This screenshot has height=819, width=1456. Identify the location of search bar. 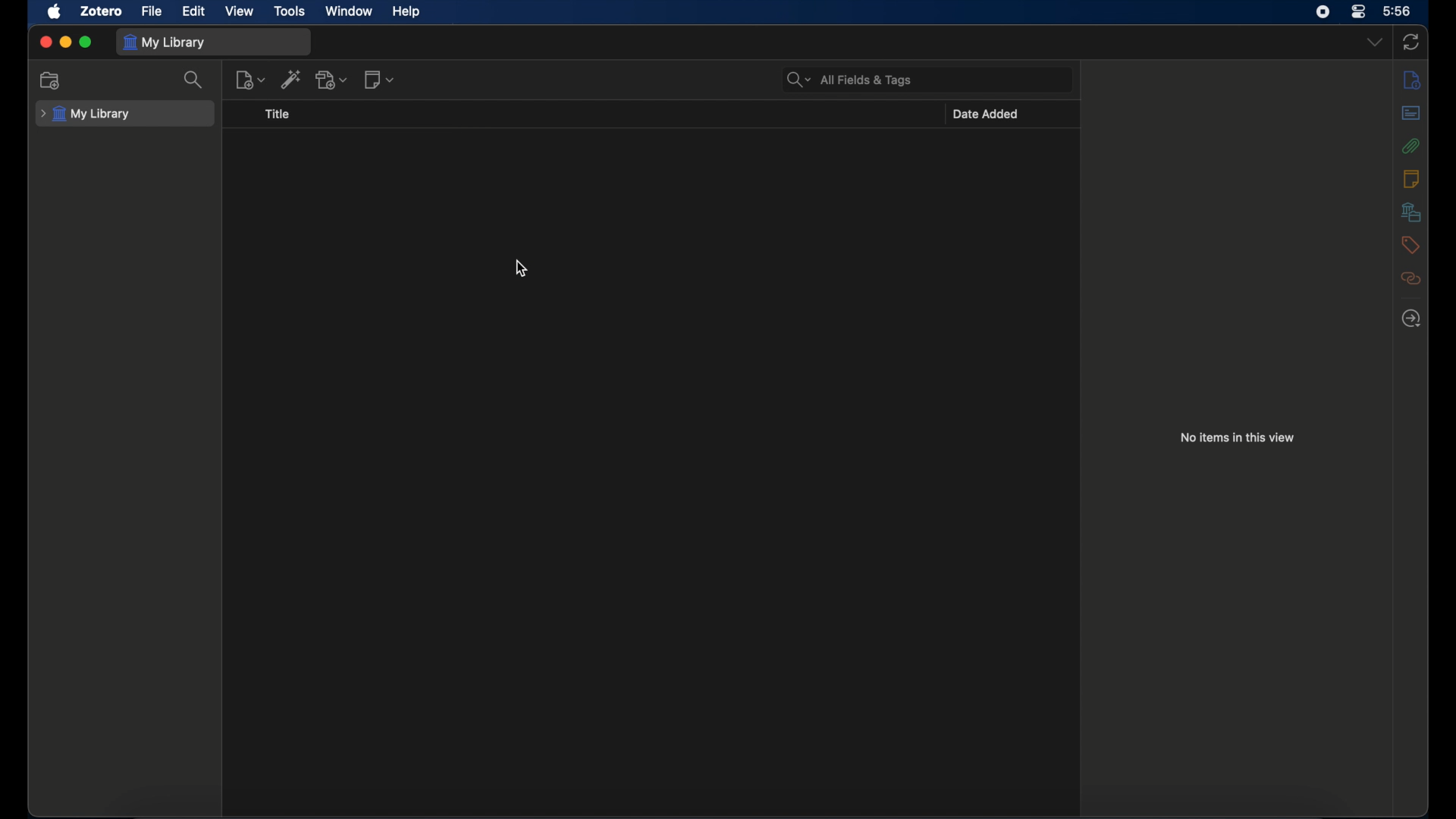
(849, 79).